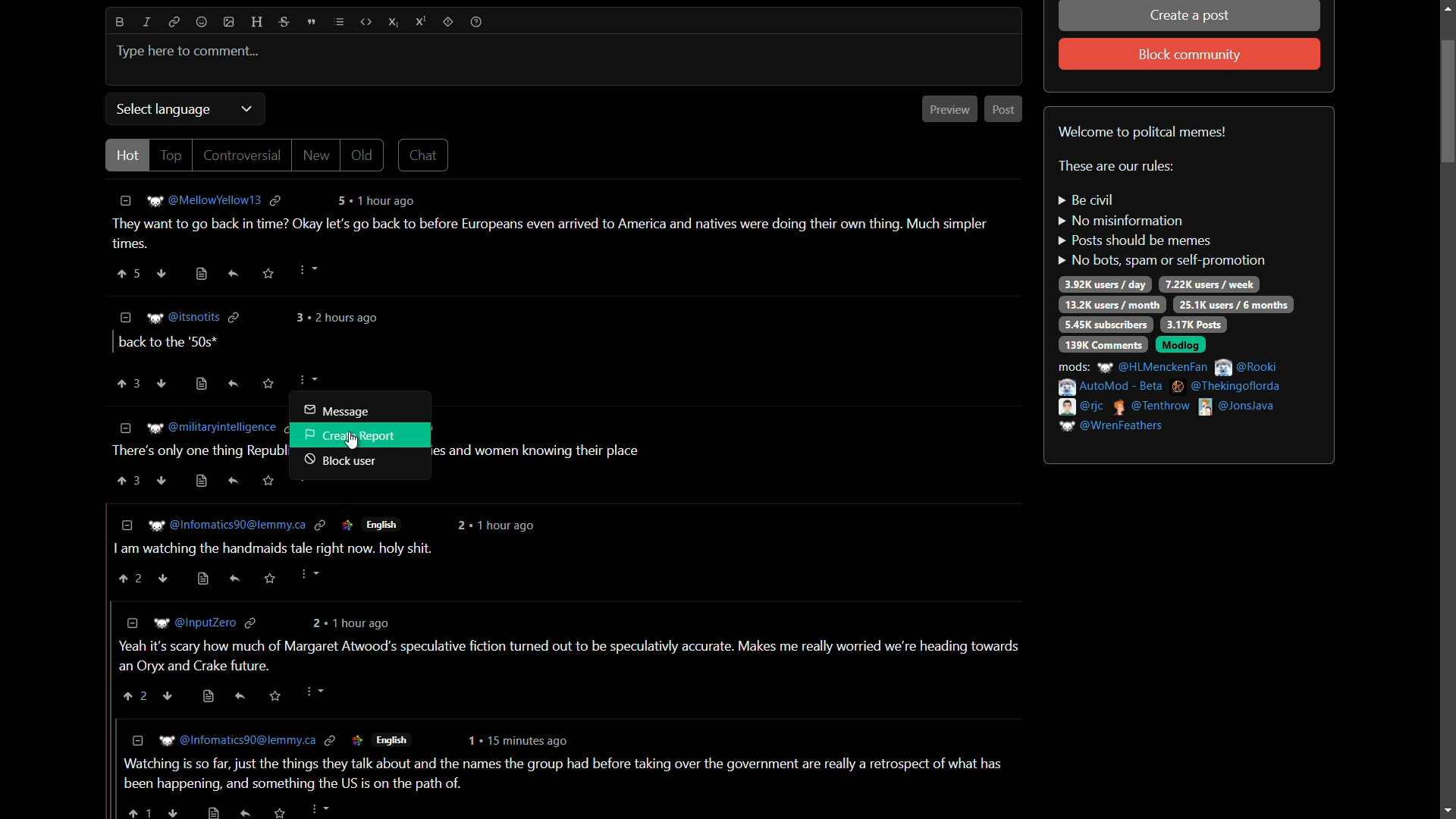  I want to click on comment-5, so click(576, 656).